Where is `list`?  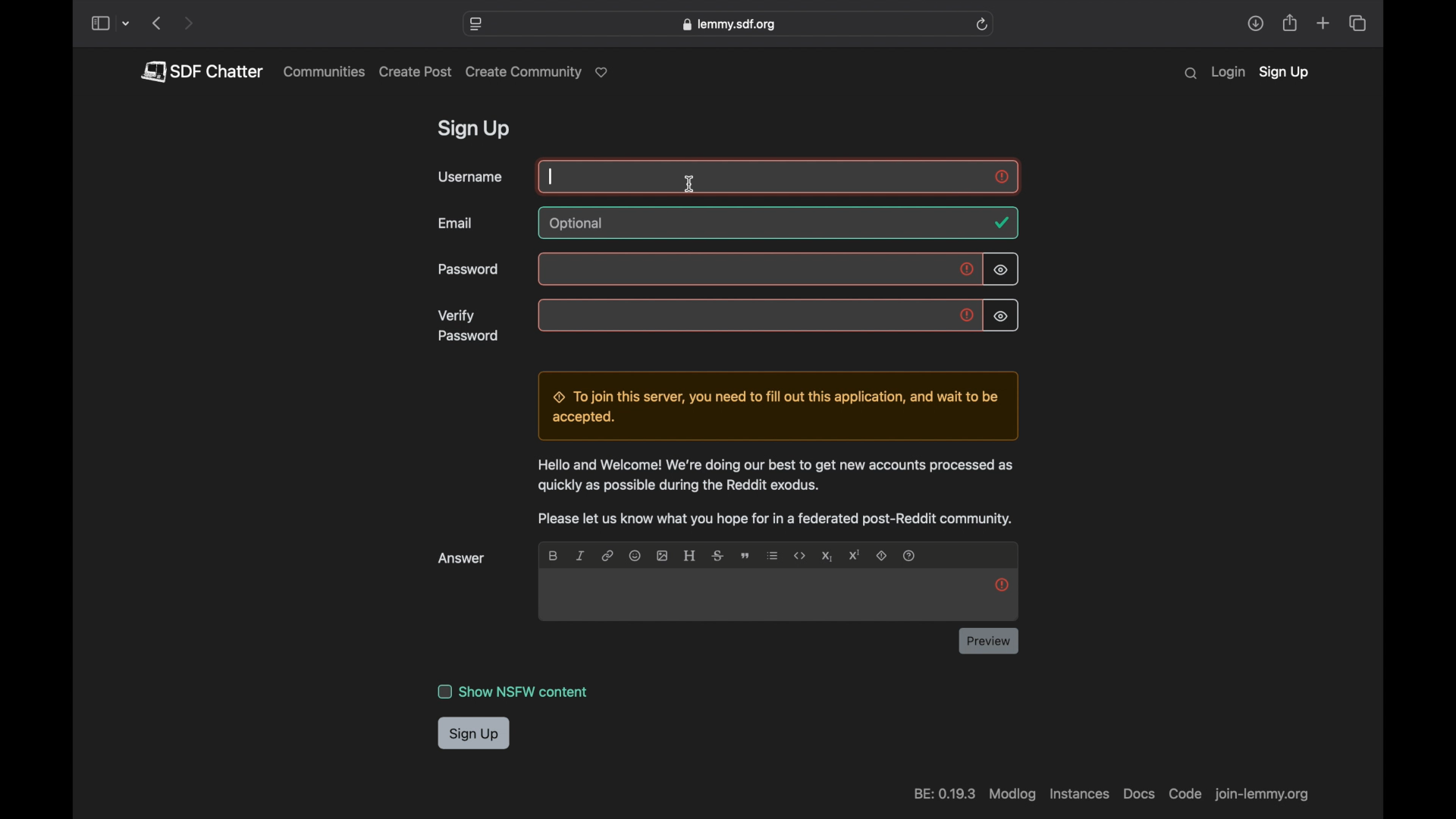
list is located at coordinates (773, 555).